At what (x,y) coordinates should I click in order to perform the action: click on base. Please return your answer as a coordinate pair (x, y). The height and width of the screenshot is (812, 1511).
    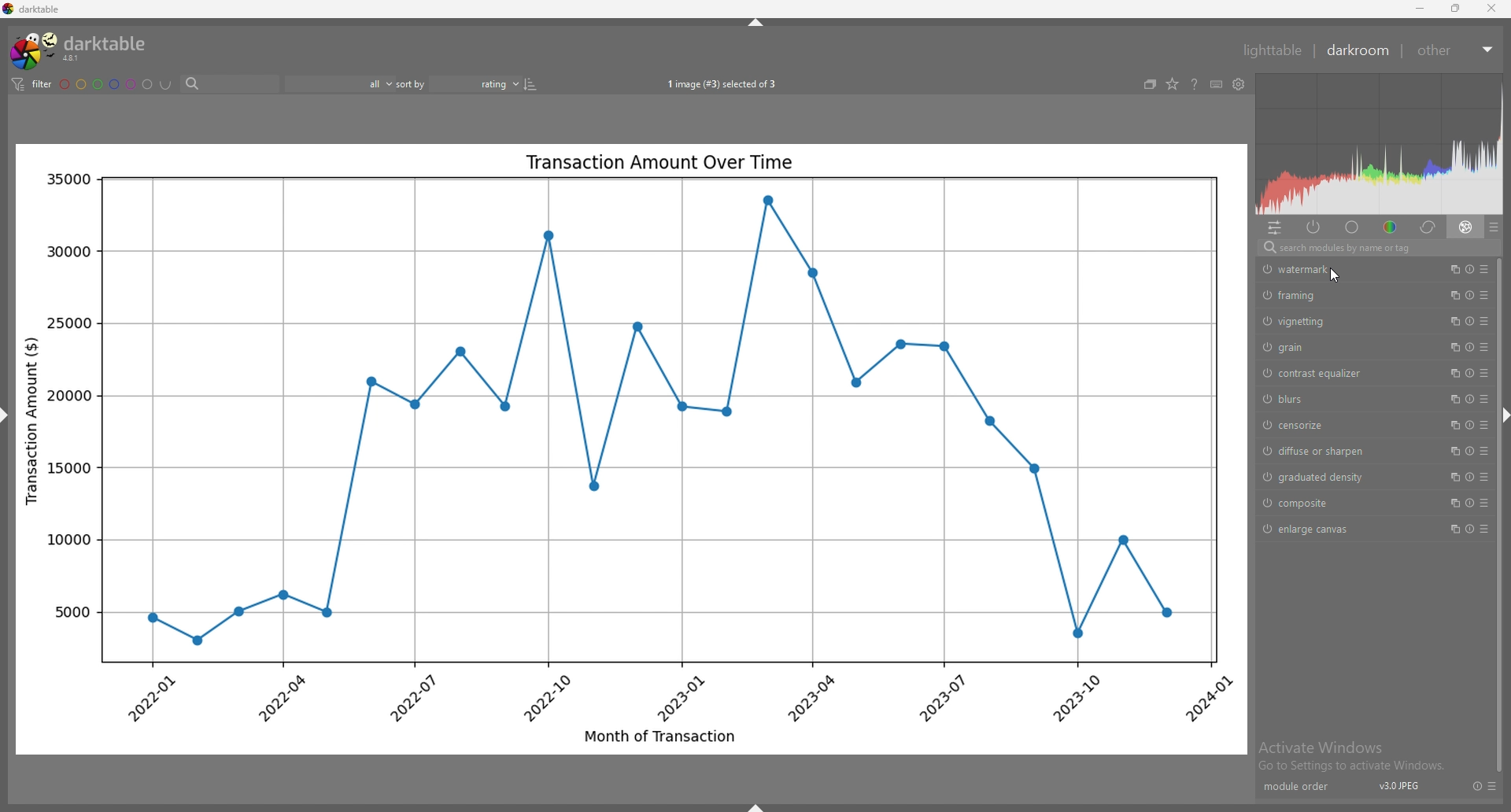
    Looking at the image, I should click on (1352, 227).